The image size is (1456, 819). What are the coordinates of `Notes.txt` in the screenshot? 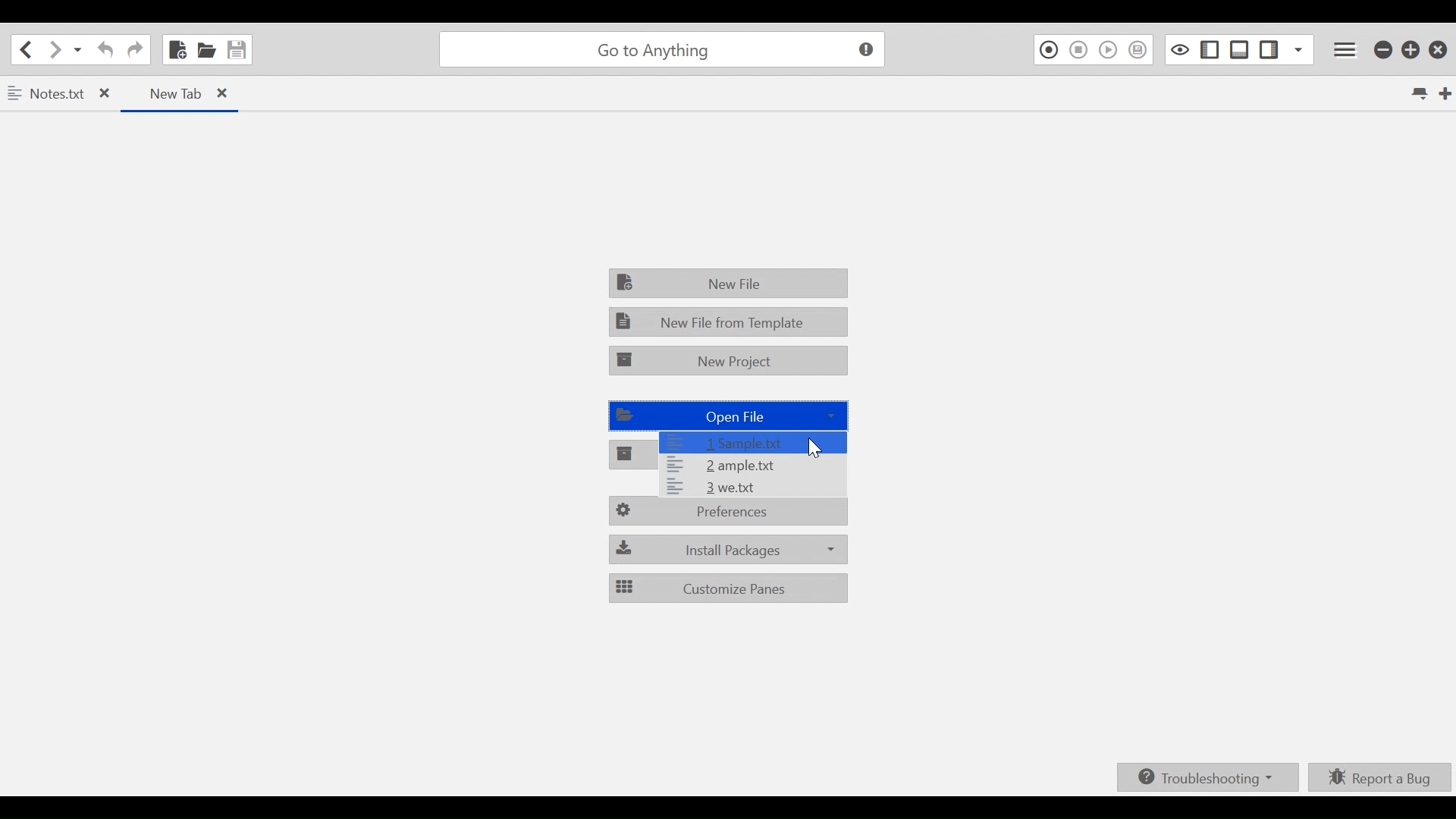 It's located at (60, 96).